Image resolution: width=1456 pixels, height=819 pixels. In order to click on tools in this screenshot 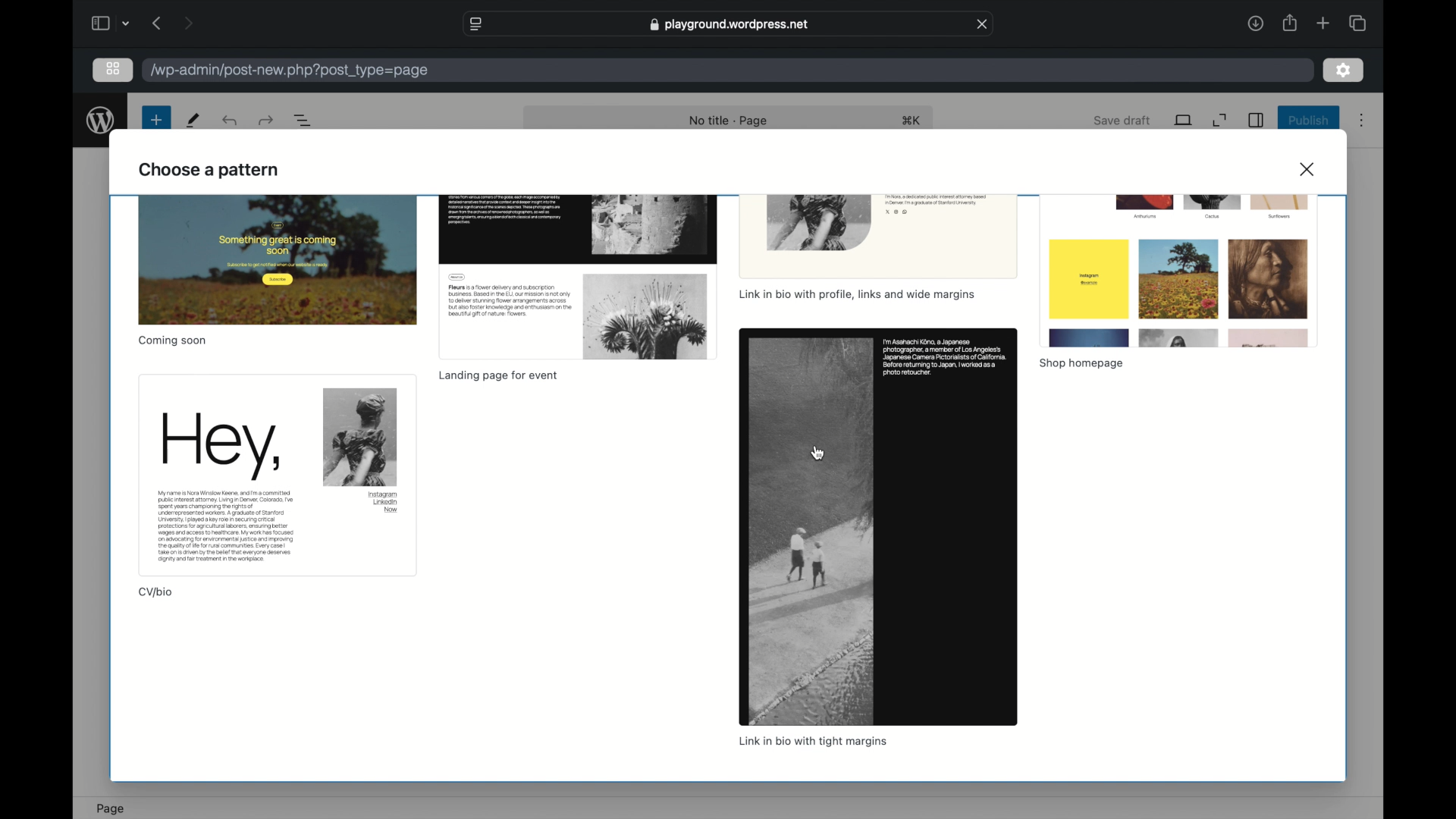, I will do `click(194, 120)`.